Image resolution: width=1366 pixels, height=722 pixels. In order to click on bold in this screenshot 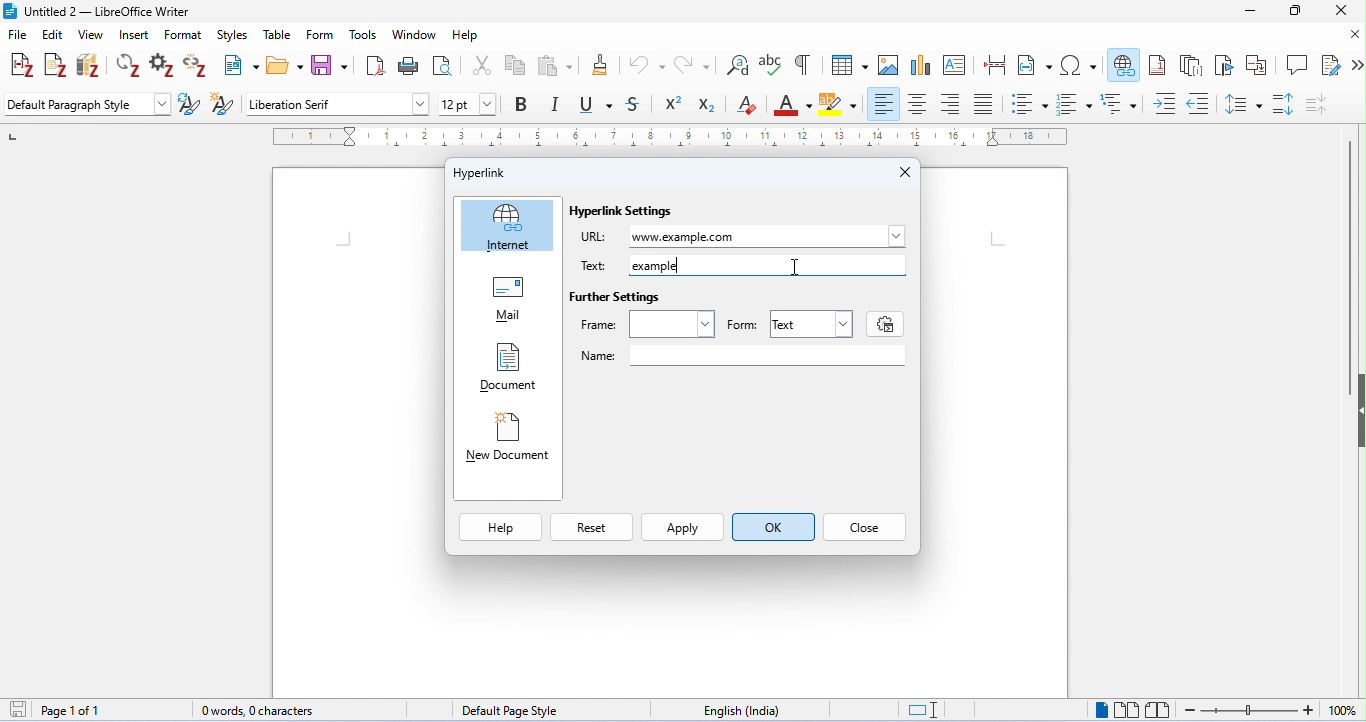, I will do `click(522, 104)`.